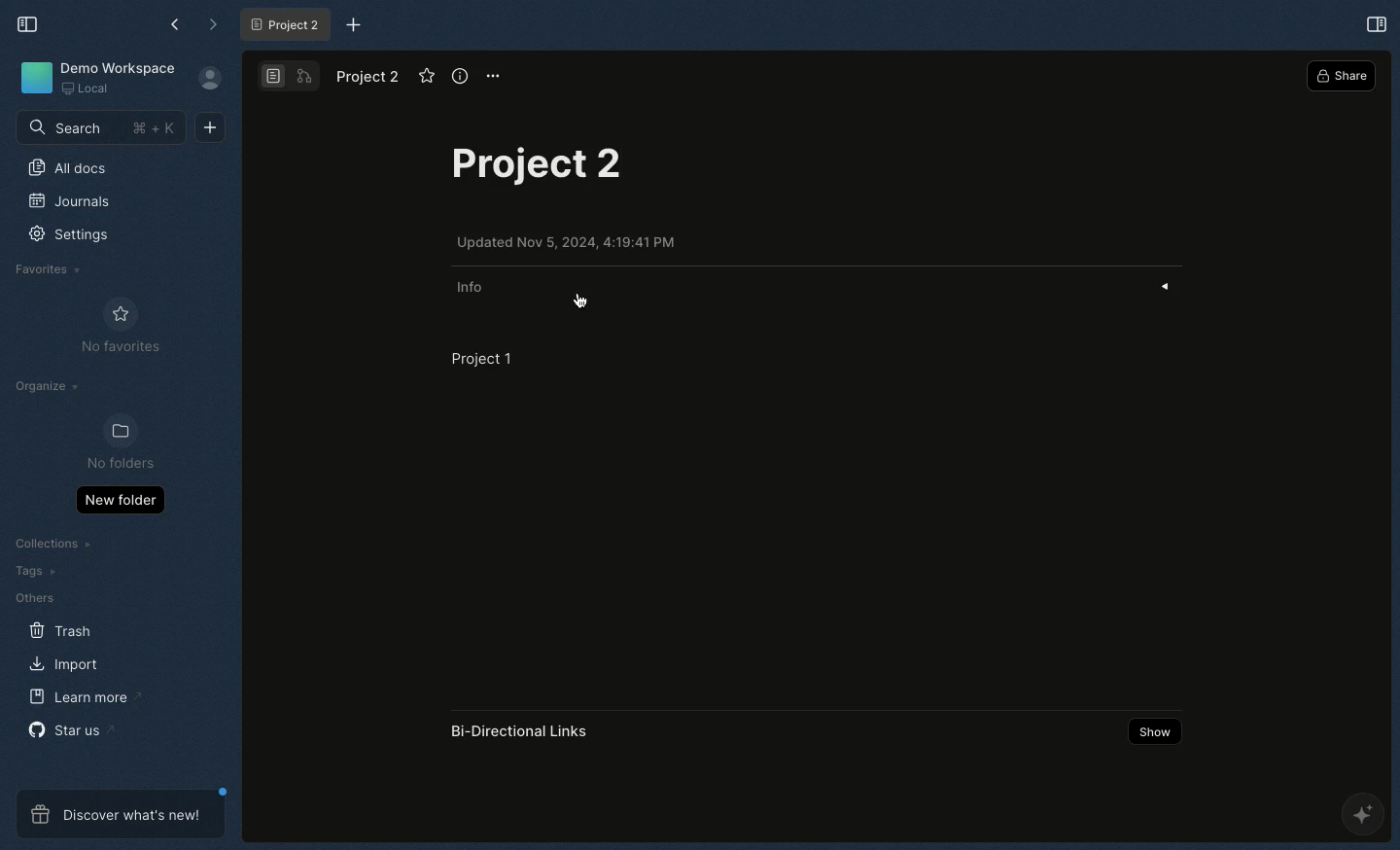  I want to click on Updated Nov 5, 2024, 4:19:41 PM, so click(571, 243).